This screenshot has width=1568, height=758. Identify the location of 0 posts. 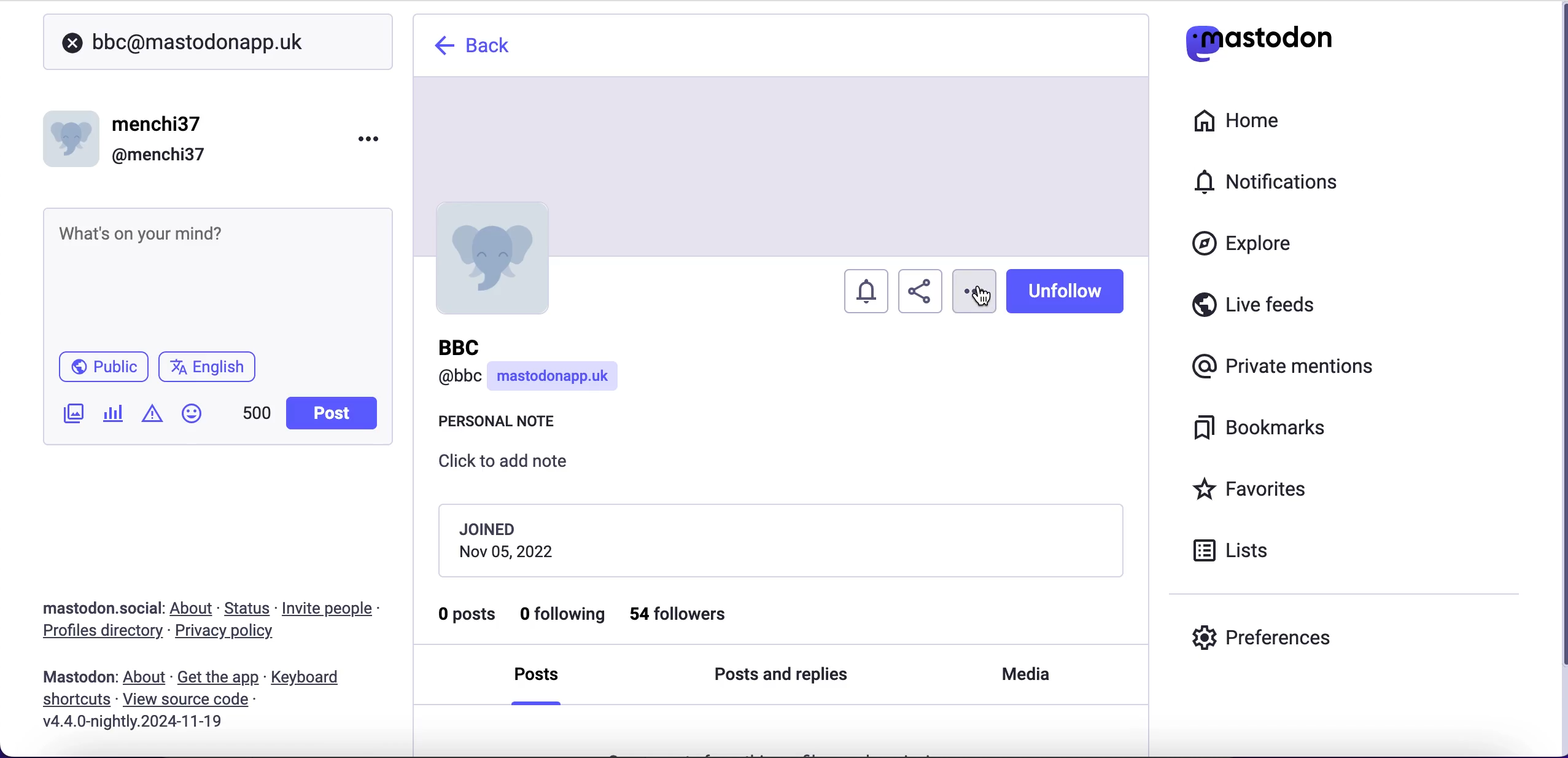
(468, 619).